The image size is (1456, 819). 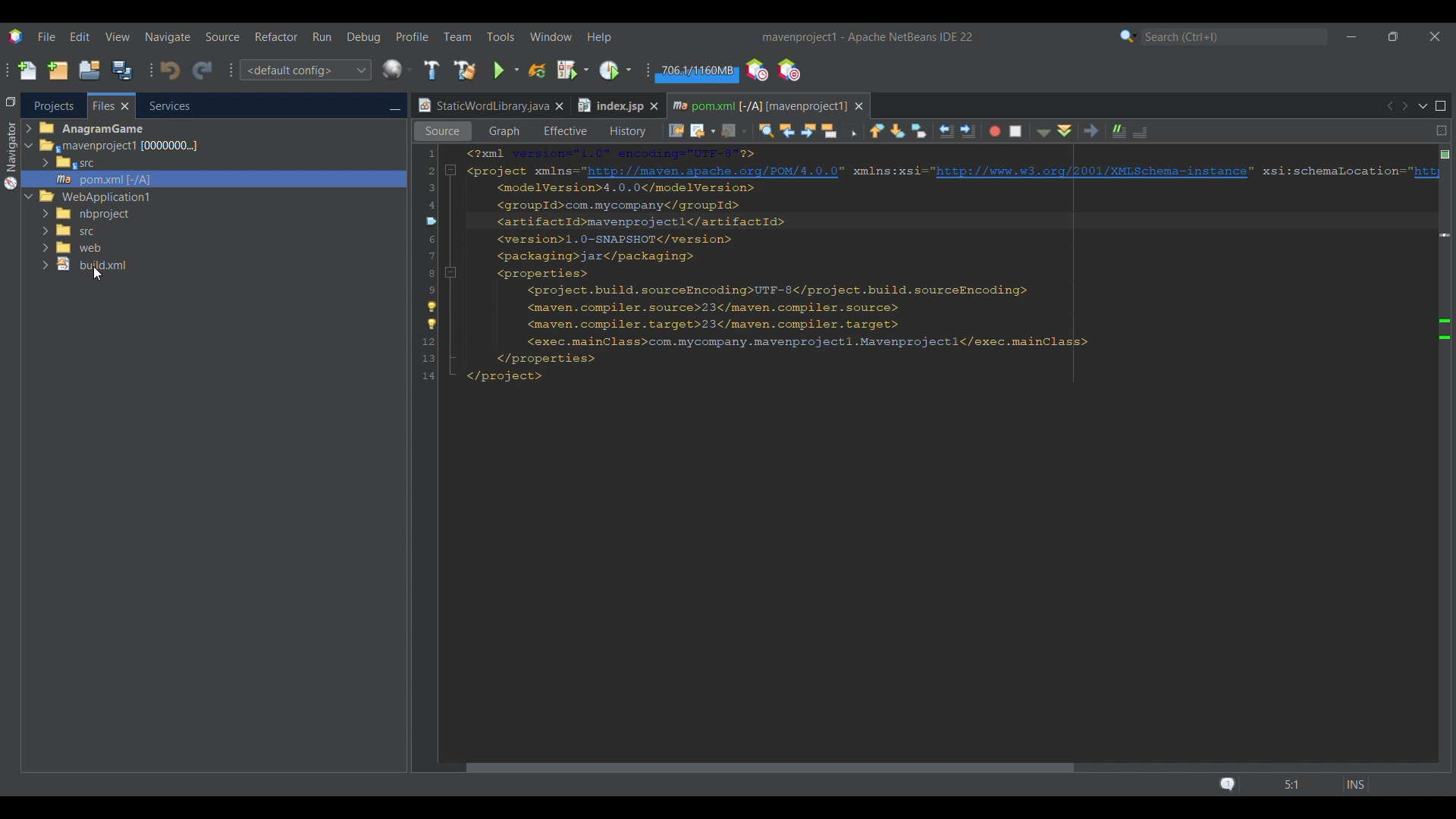 I want to click on Source menu, so click(x=223, y=37).